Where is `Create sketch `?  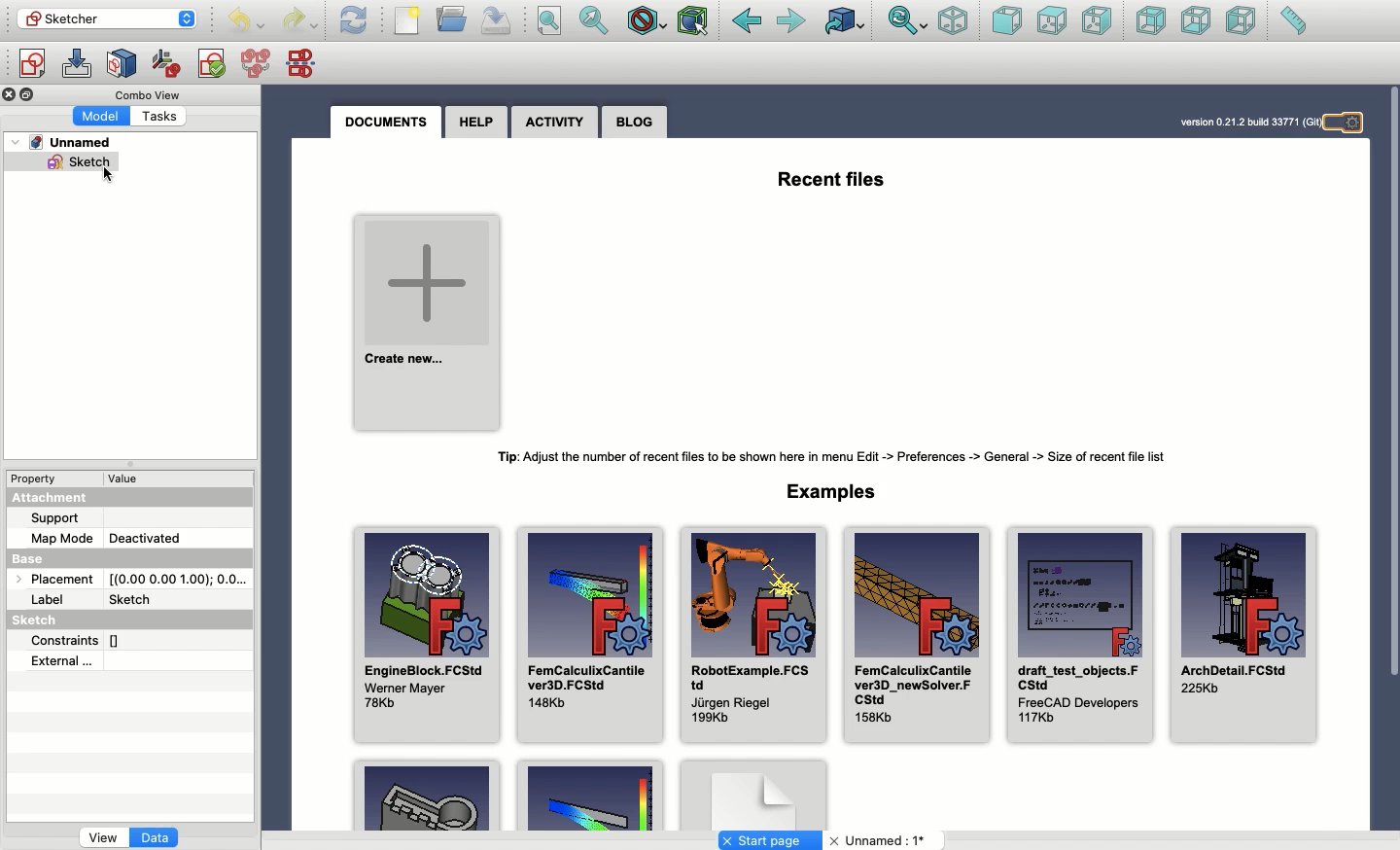 Create sketch  is located at coordinates (31, 66).